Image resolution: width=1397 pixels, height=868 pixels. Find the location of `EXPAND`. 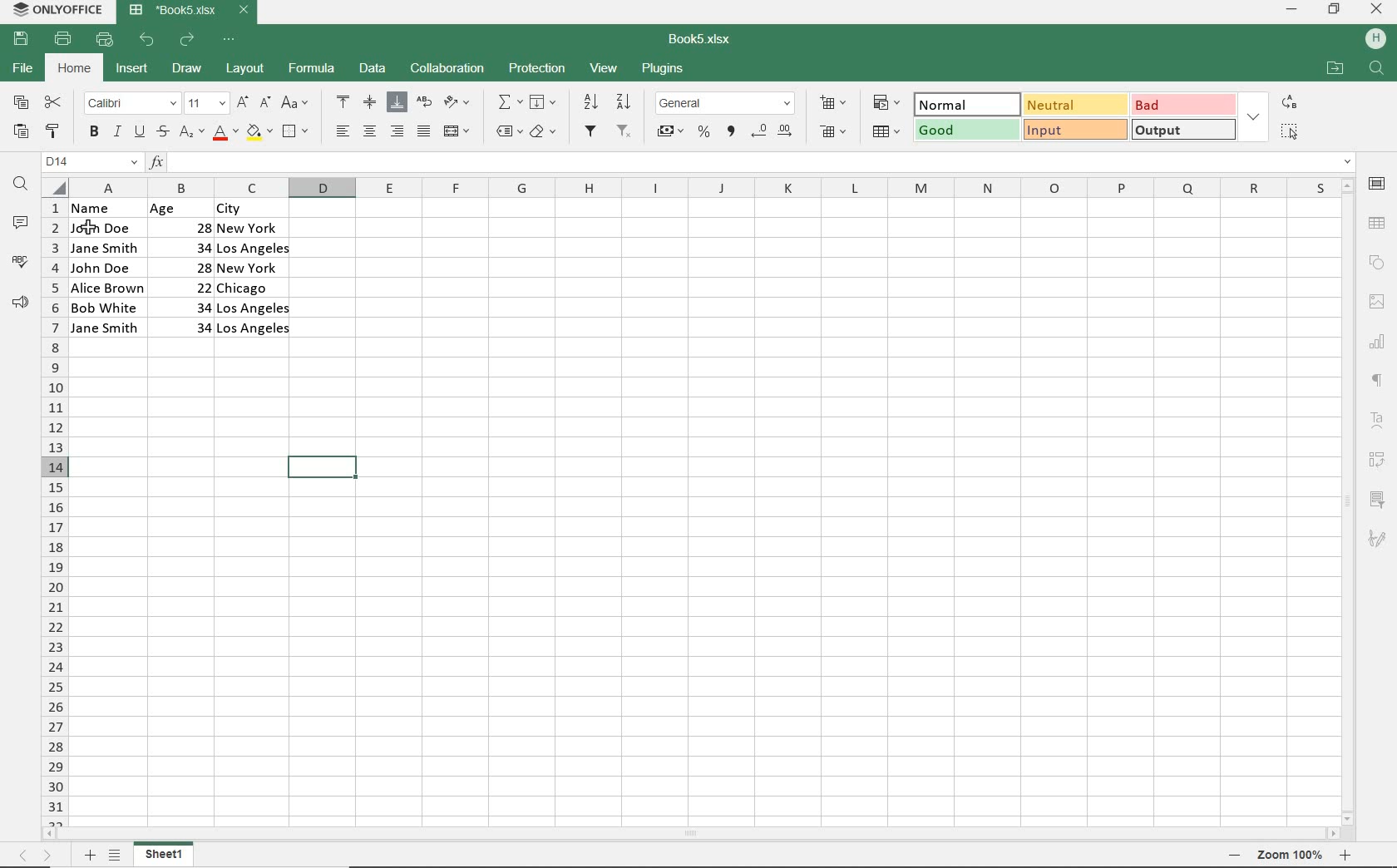

EXPAND is located at coordinates (1253, 116).